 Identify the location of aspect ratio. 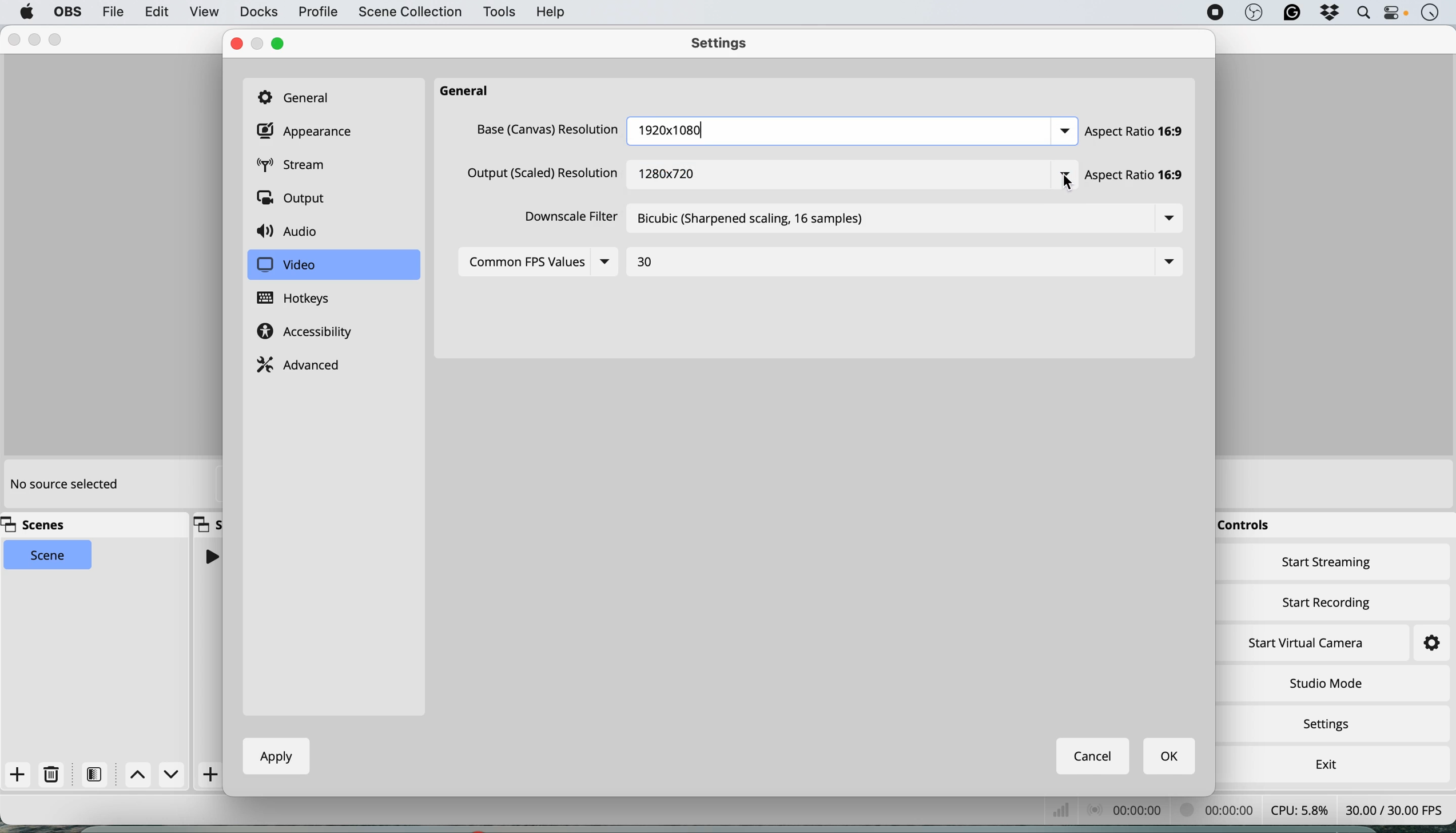
(1135, 132).